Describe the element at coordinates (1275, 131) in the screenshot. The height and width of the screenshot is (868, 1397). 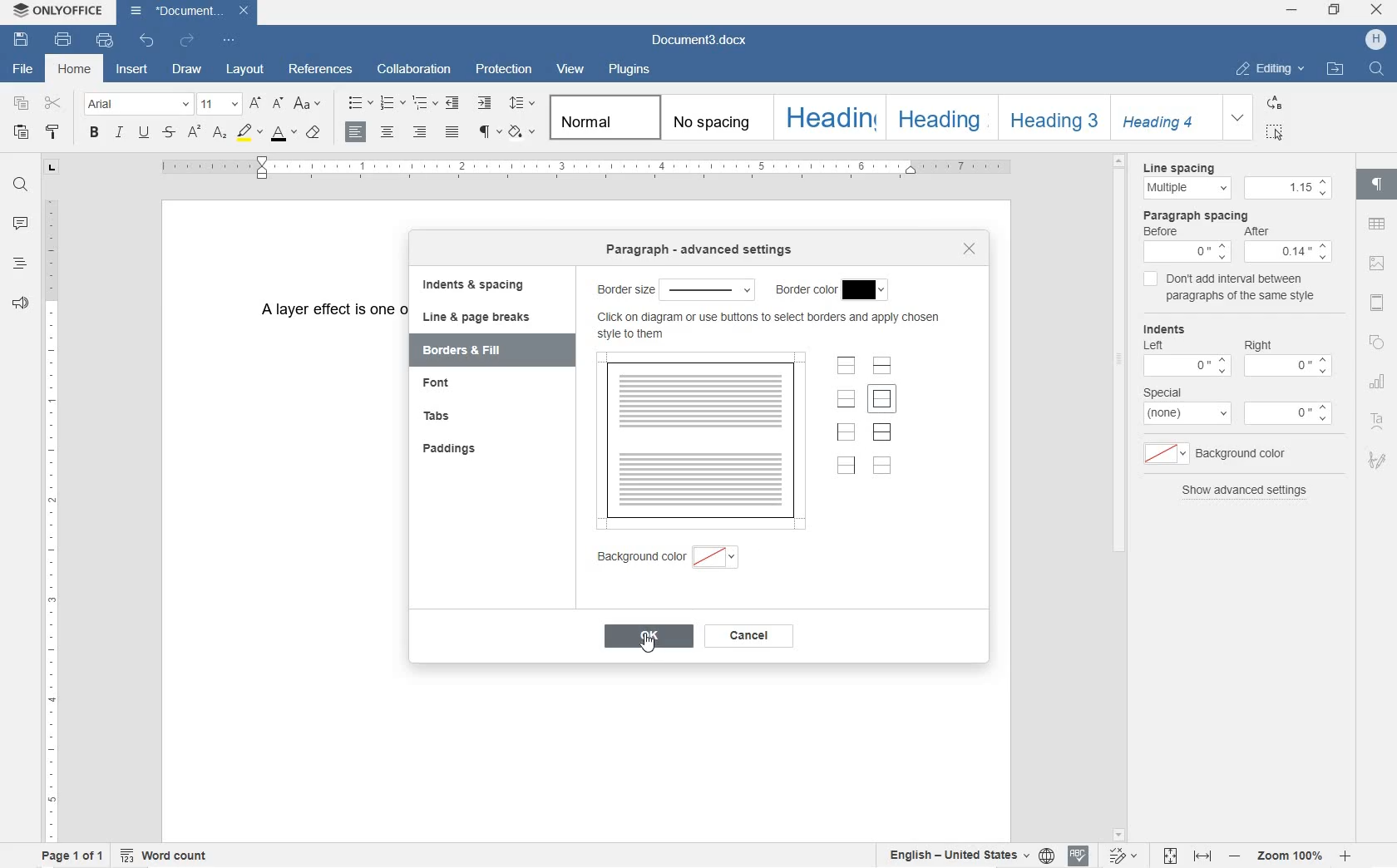
I see `SELECT ALL` at that location.